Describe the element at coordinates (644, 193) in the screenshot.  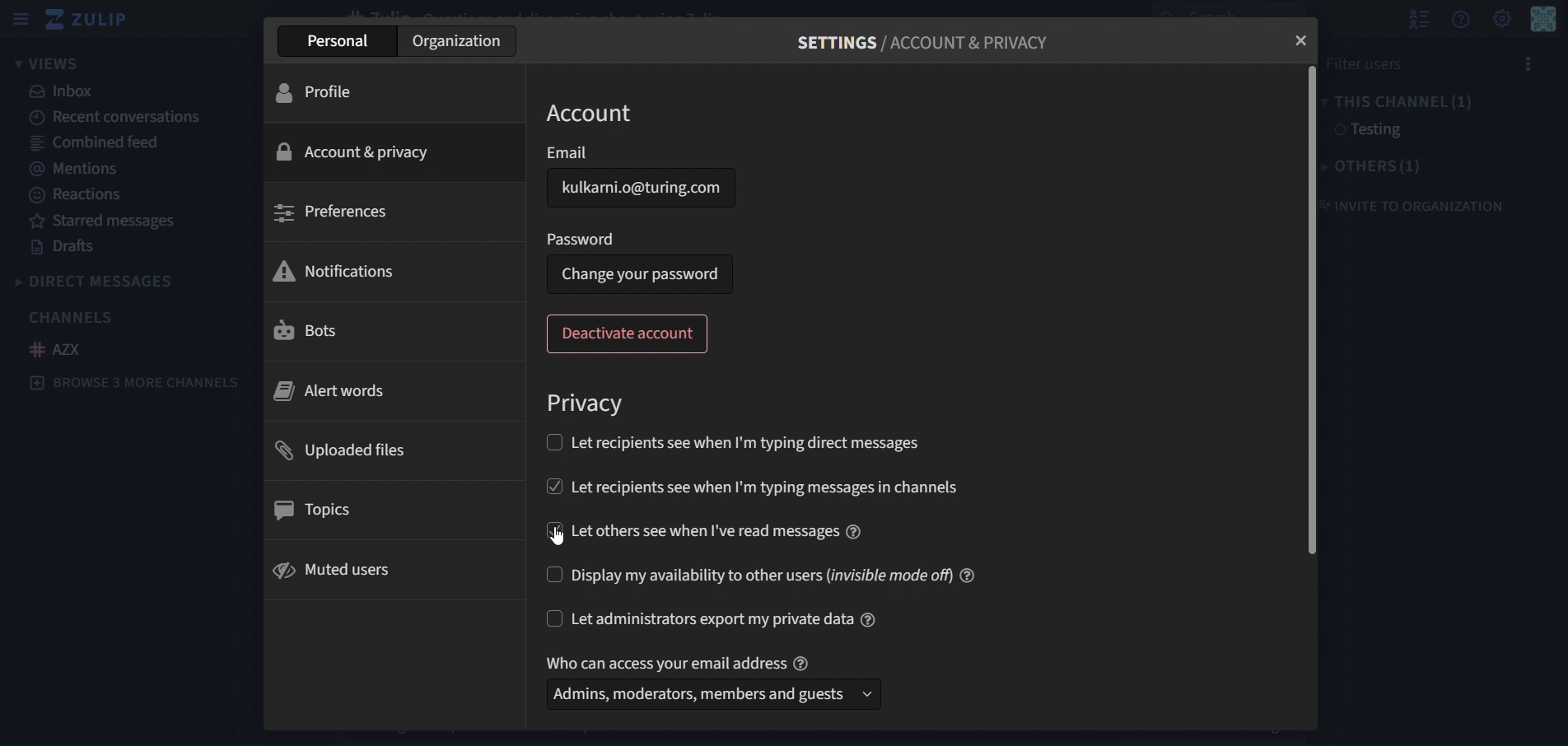
I see `kulkarni.o@turing.com` at that location.